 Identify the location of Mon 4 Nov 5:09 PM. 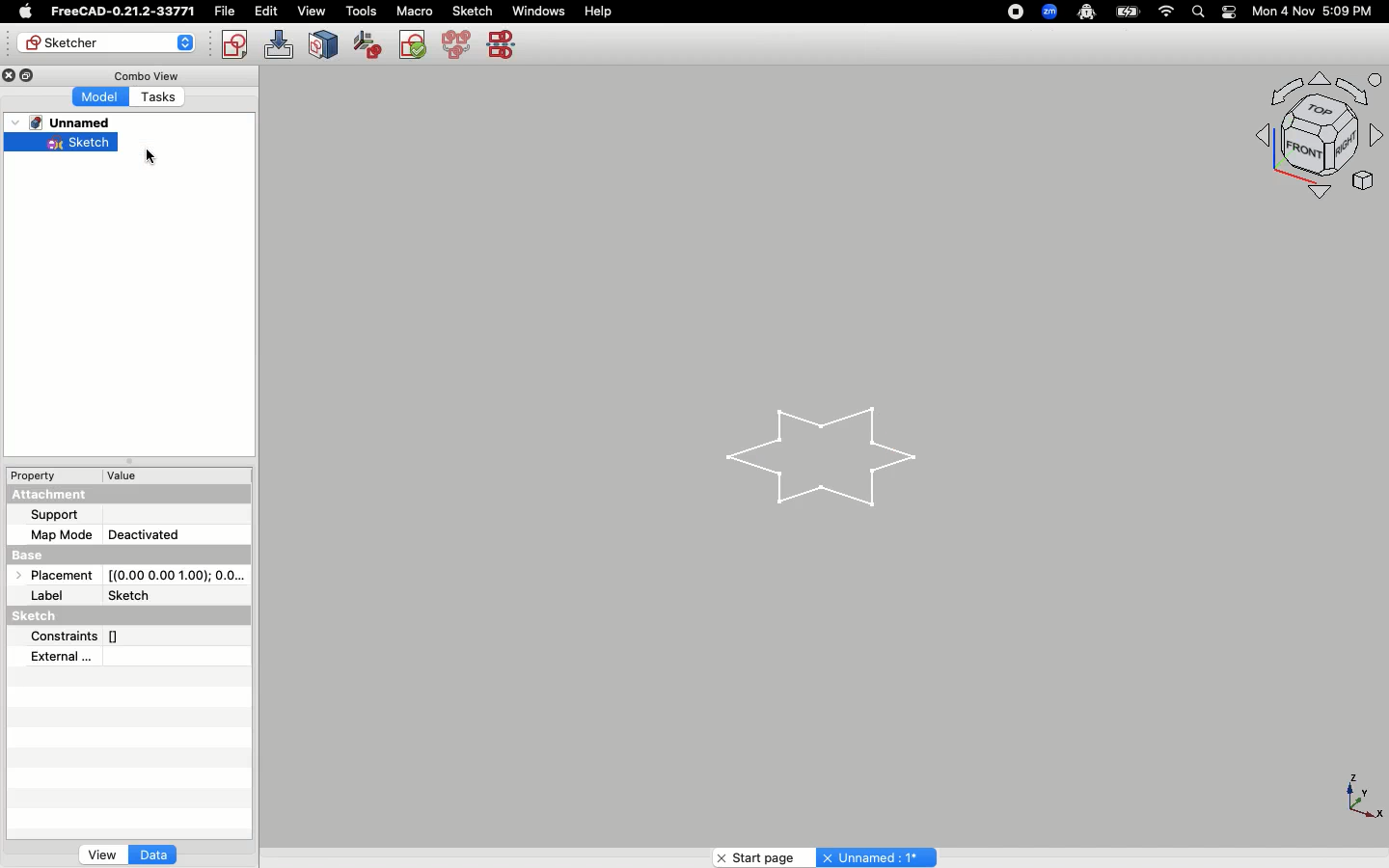
(1315, 12).